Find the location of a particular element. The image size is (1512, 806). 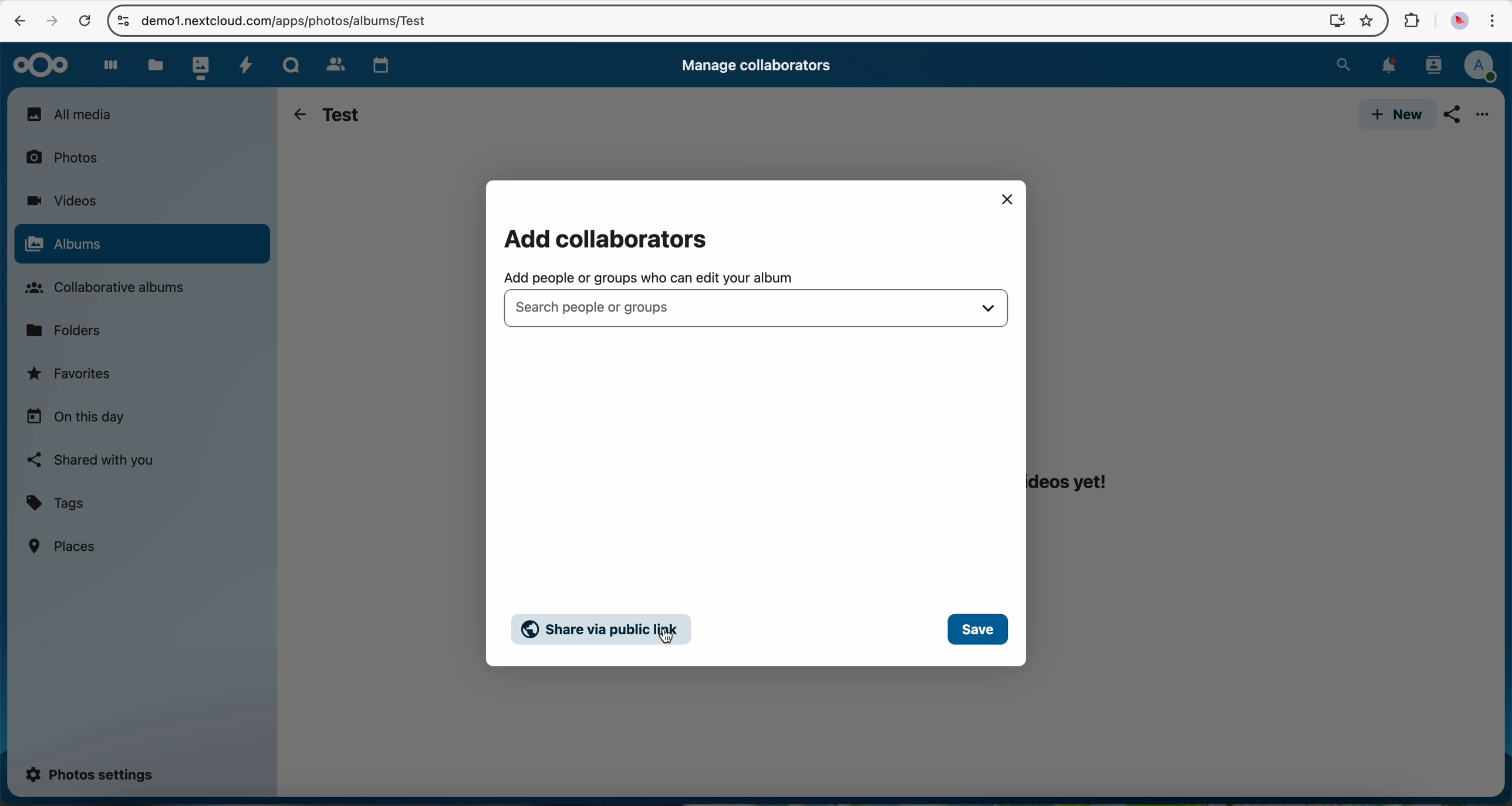

Talk is located at coordinates (291, 63).